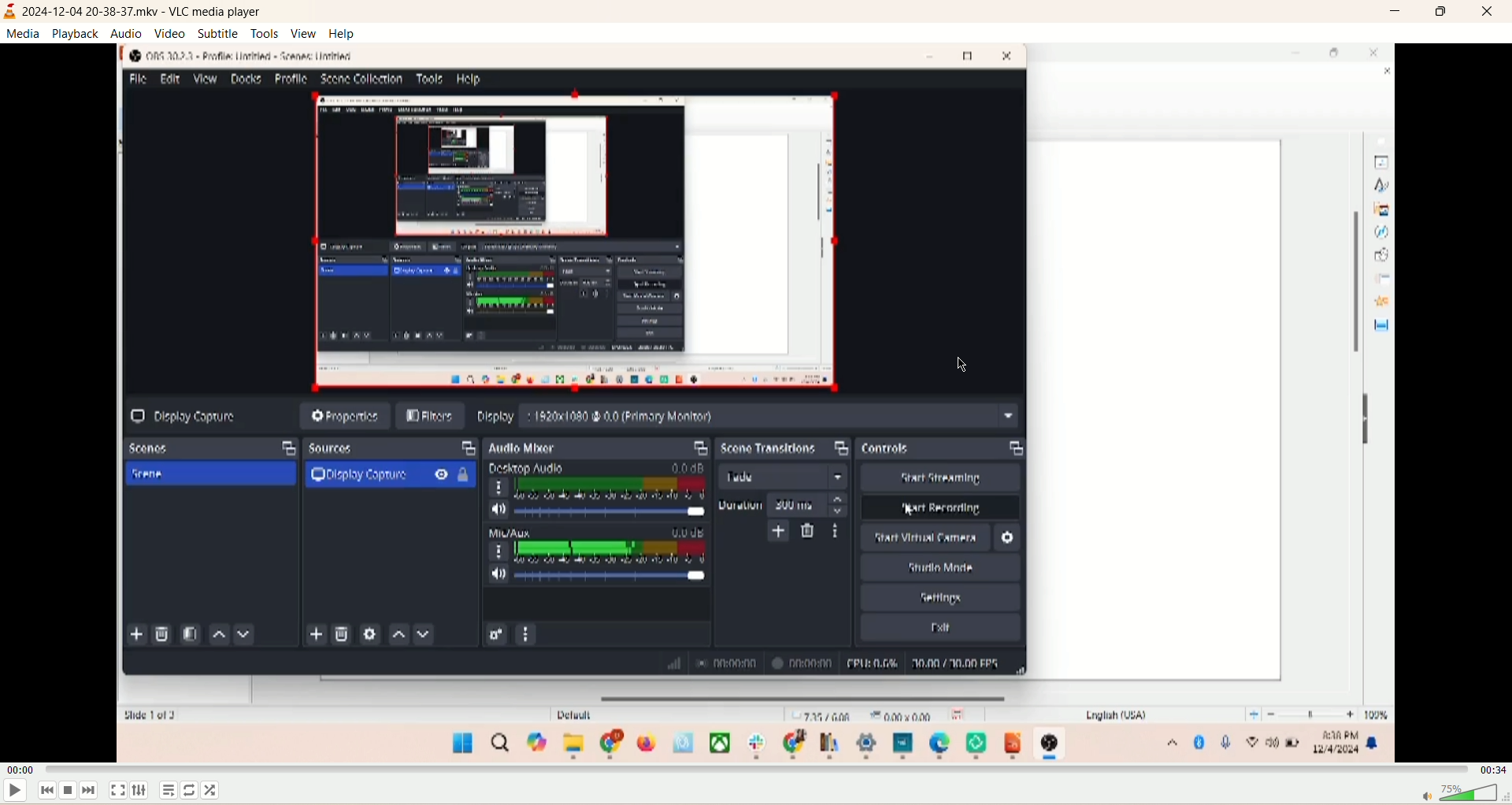  What do you see at coordinates (9, 11) in the screenshot?
I see `logo` at bounding box center [9, 11].